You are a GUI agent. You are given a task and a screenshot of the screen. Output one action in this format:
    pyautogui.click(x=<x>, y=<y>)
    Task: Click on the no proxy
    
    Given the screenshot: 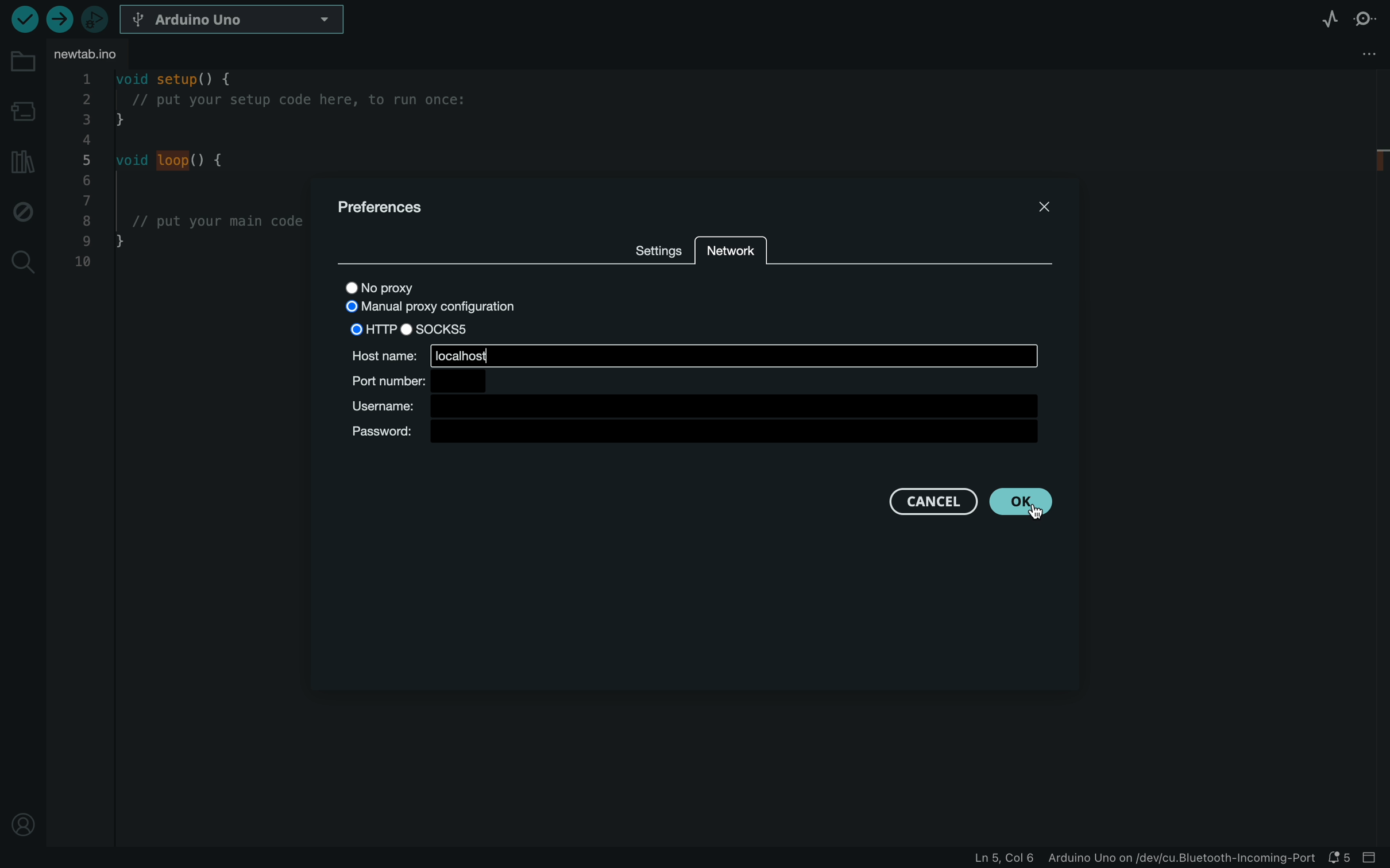 What is the action you would take?
    pyautogui.click(x=407, y=285)
    